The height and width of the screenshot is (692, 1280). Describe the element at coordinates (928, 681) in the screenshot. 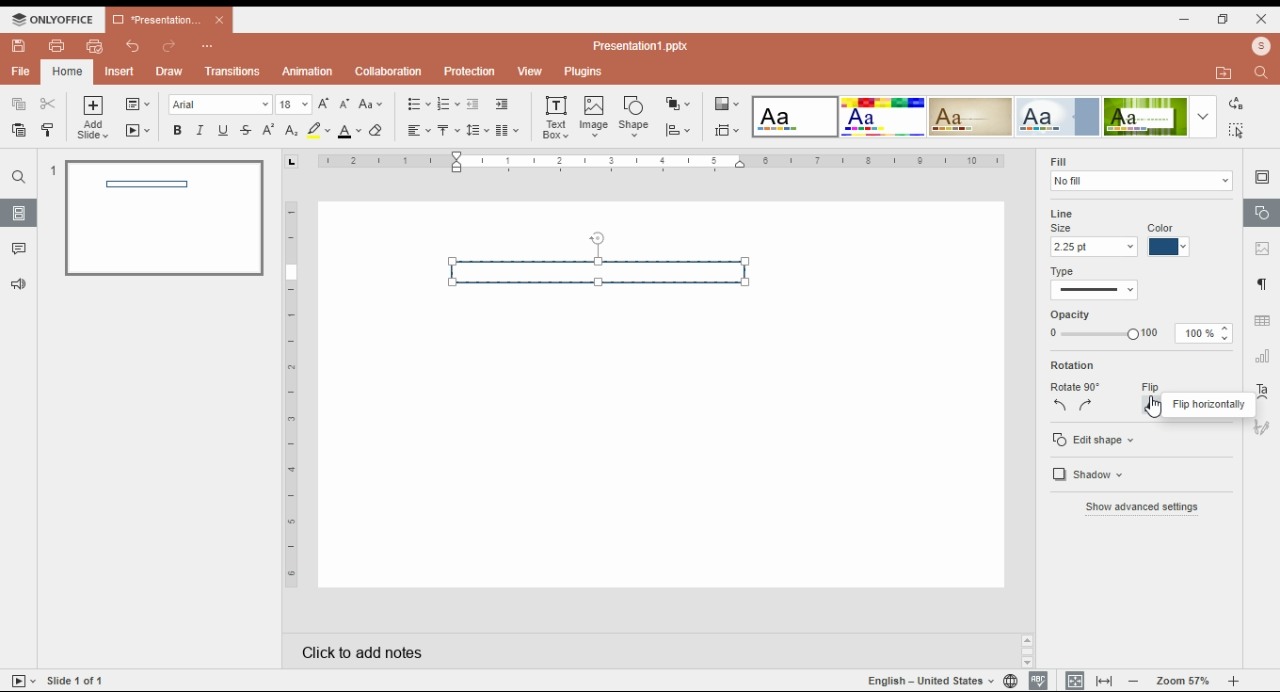

I see `language` at that location.